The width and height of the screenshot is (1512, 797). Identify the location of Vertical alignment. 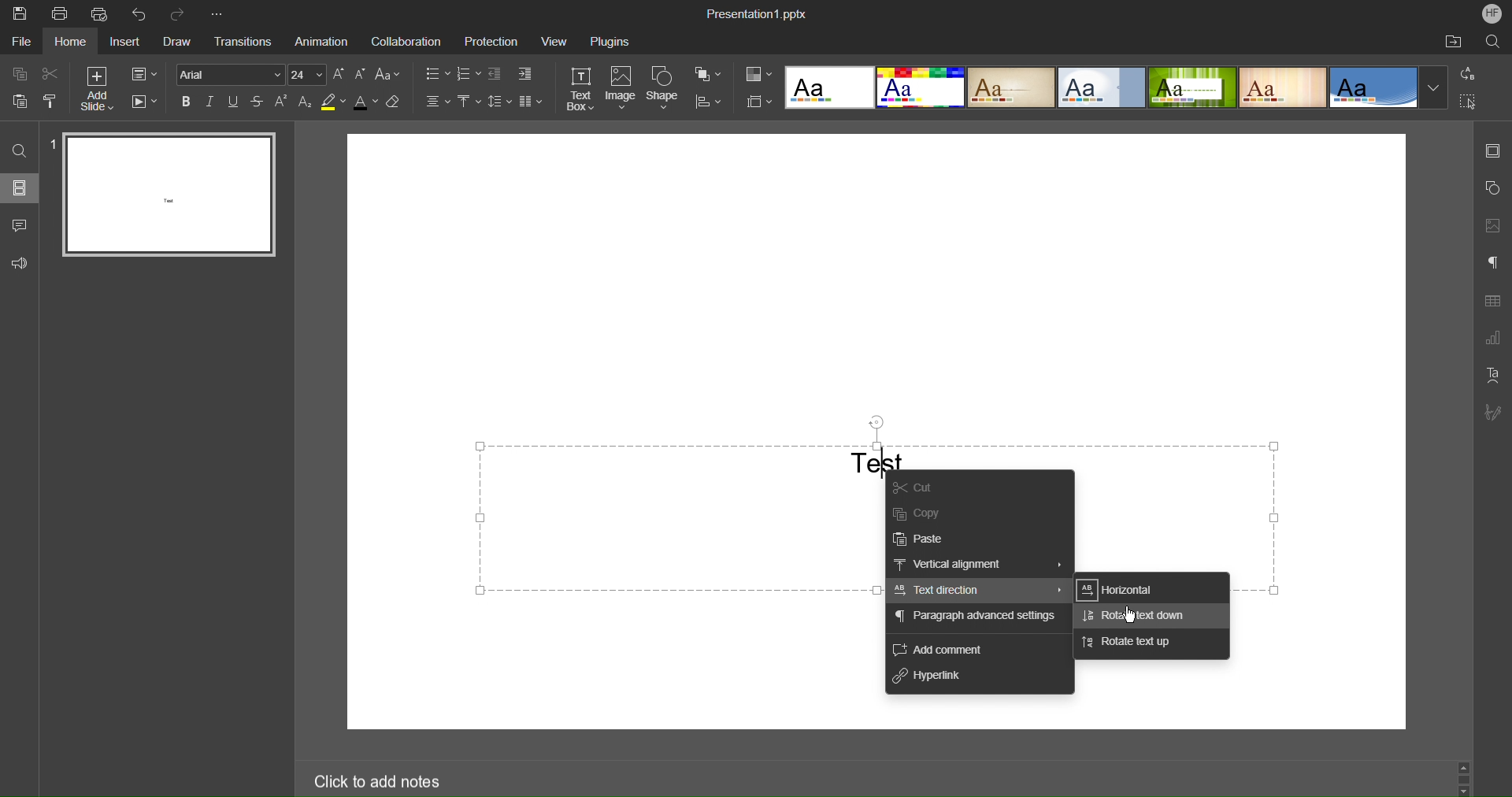
(979, 565).